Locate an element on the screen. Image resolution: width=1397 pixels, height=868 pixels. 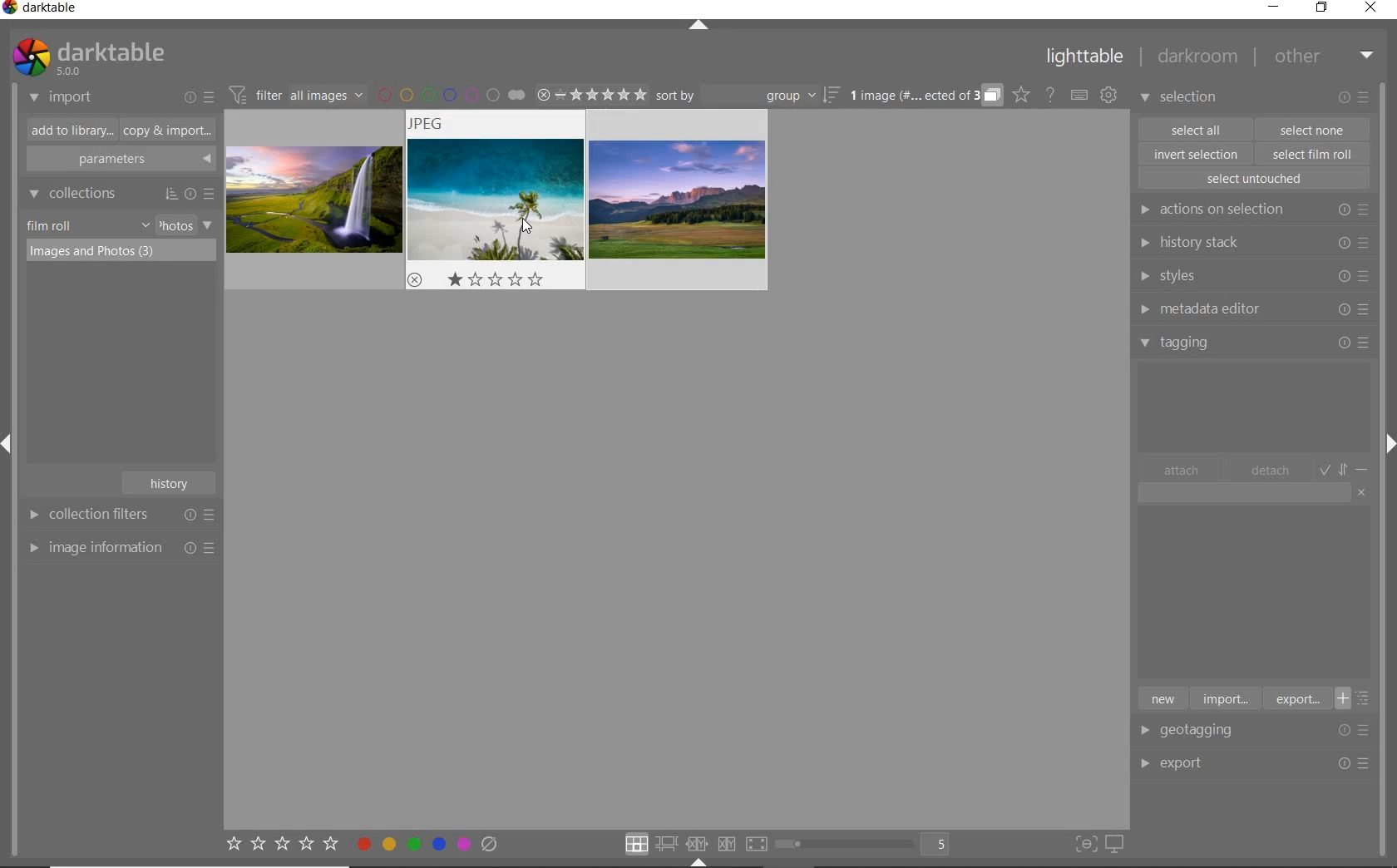
new is located at coordinates (1162, 698).